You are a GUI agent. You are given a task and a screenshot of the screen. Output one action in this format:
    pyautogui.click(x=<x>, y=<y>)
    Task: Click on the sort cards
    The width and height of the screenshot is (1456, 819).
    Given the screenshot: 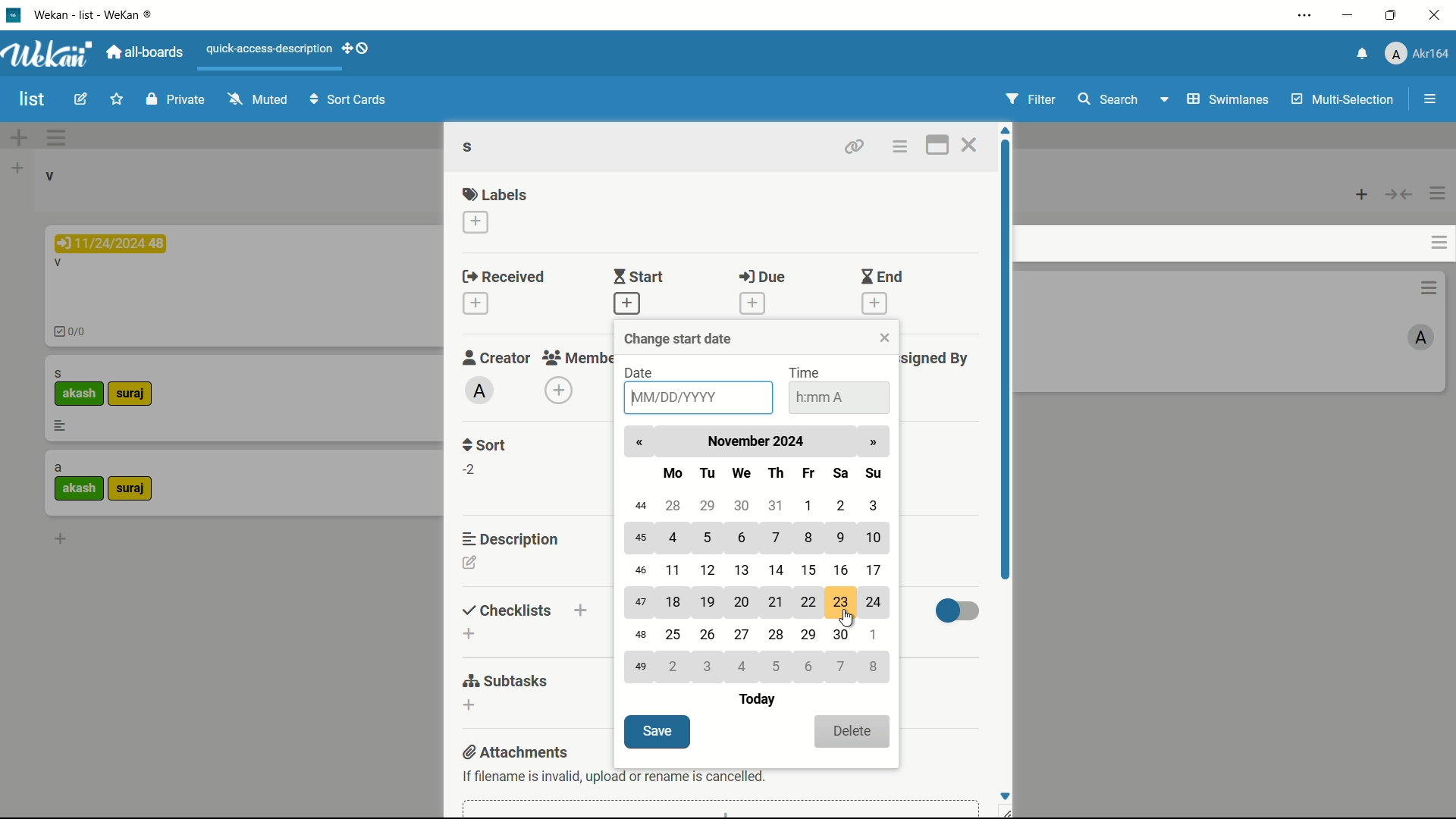 What is the action you would take?
    pyautogui.click(x=350, y=101)
    